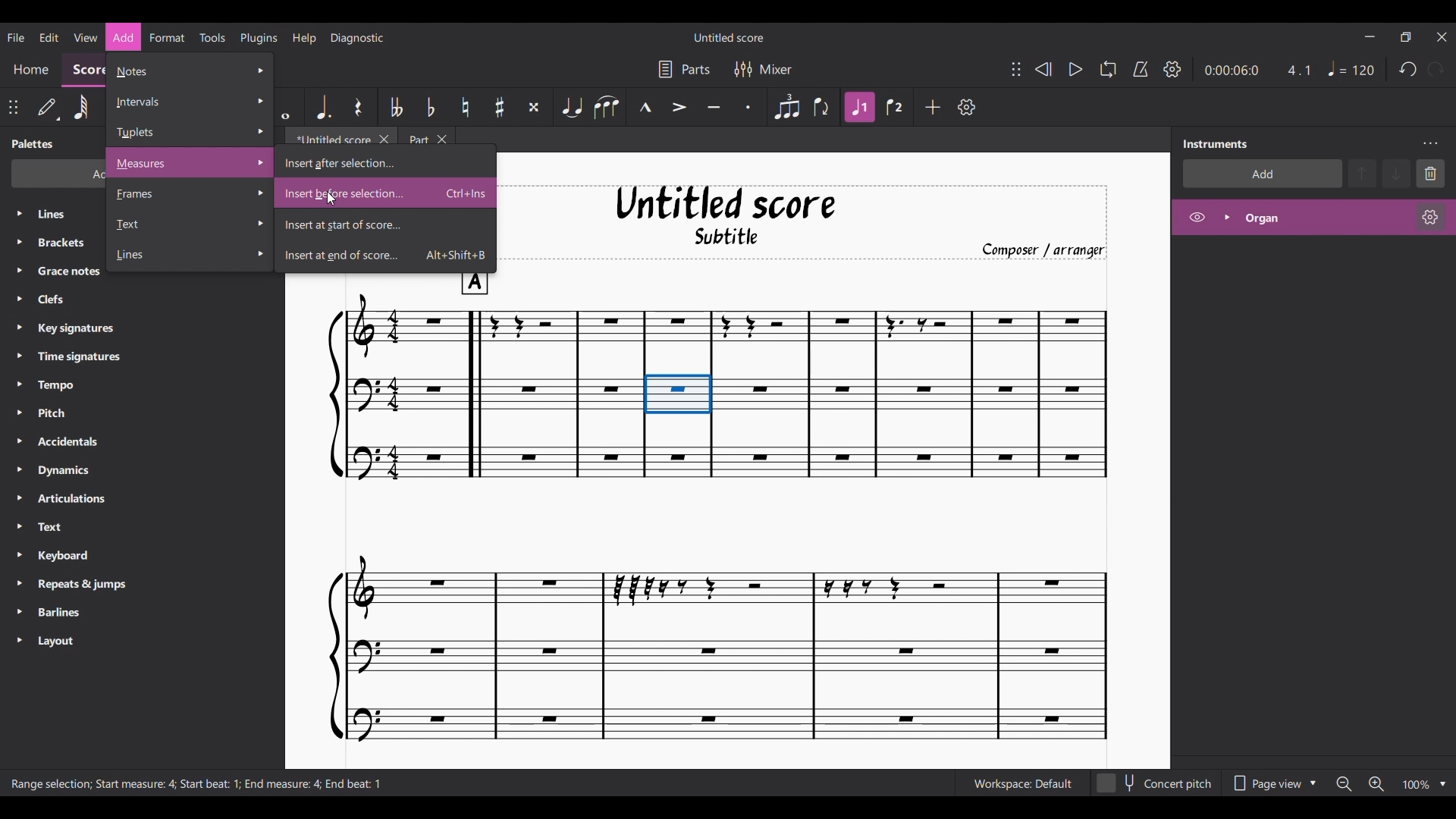 Image resolution: width=1456 pixels, height=819 pixels. What do you see at coordinates (645, 108) in the screenshot?
I see `Marcato` at bounding box center [645, 108].